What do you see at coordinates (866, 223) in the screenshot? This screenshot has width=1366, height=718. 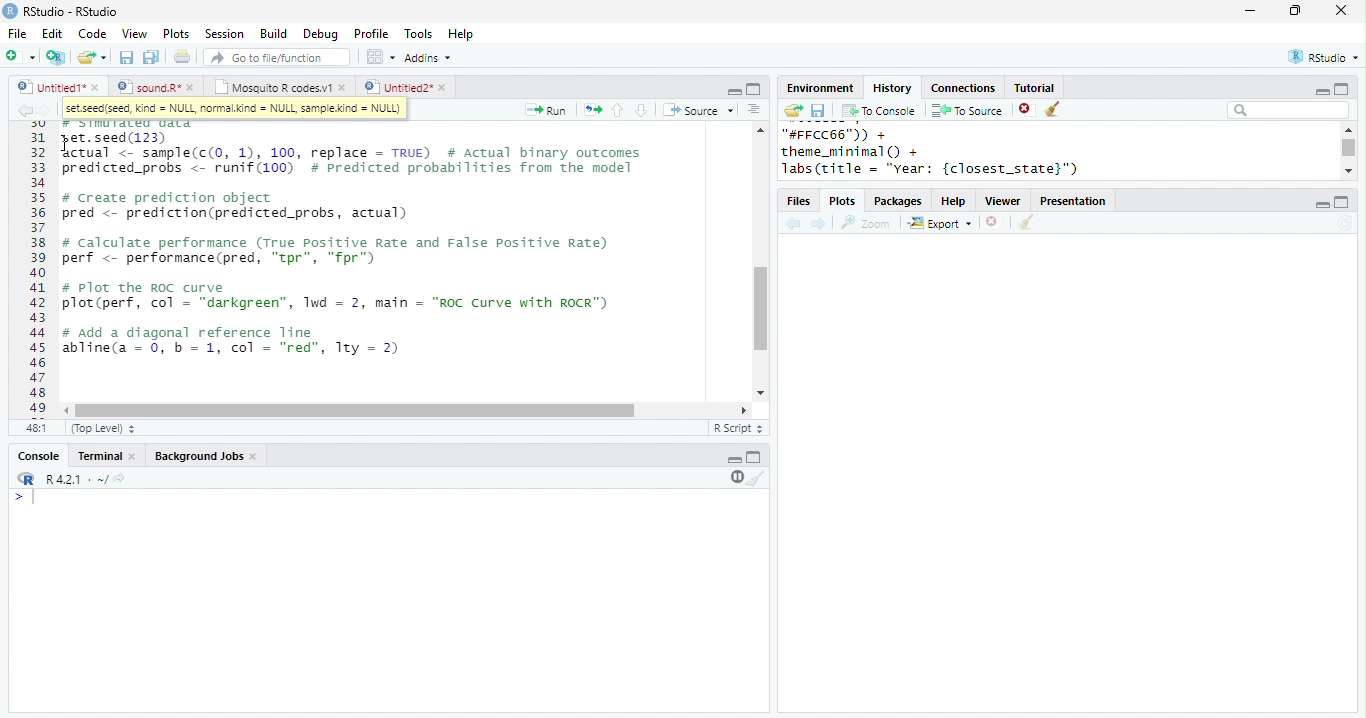 I see `Zoom` at bounding box center [866, 223].